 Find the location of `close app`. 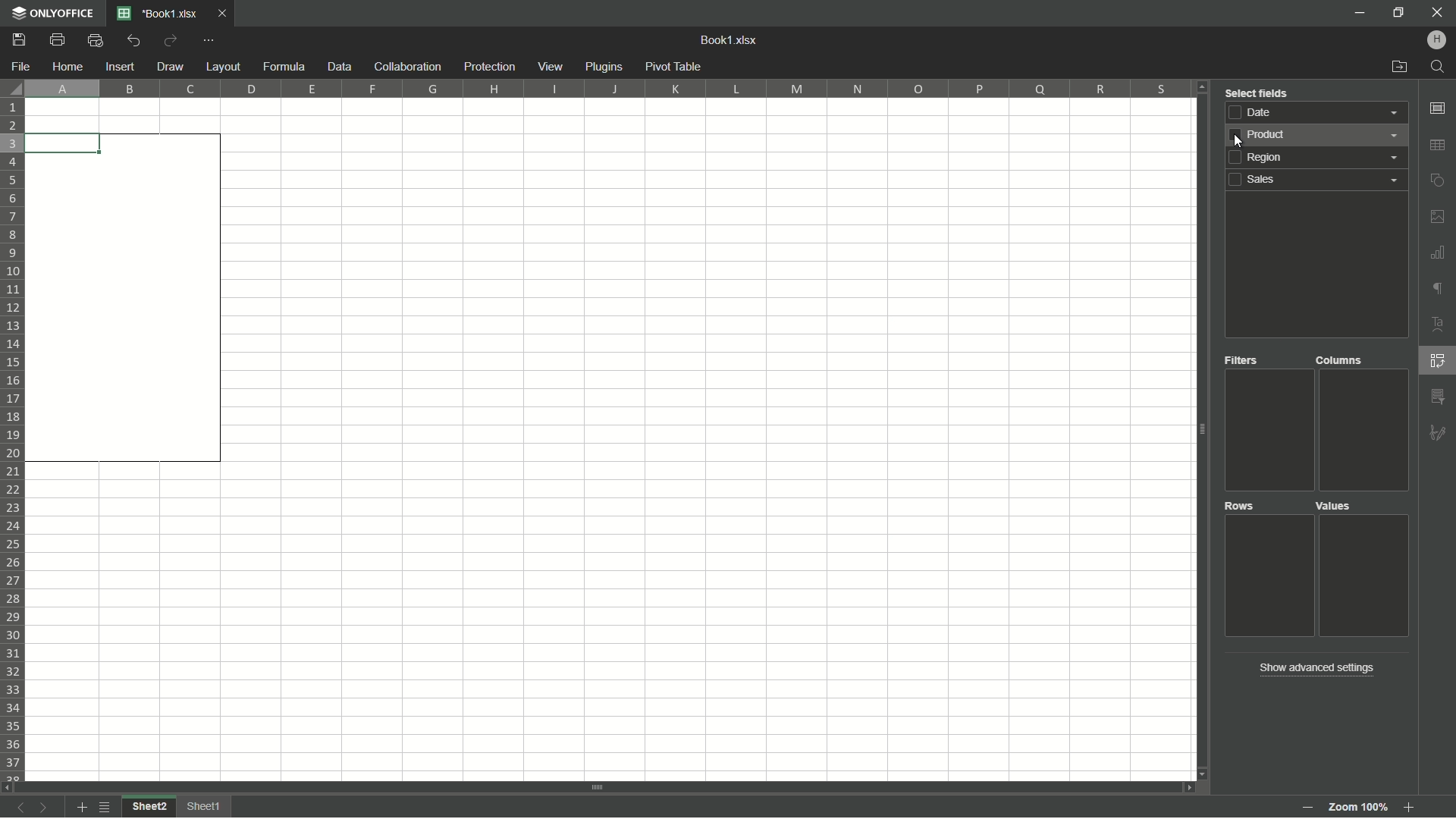

close app is located at coordinates (1437, 13).